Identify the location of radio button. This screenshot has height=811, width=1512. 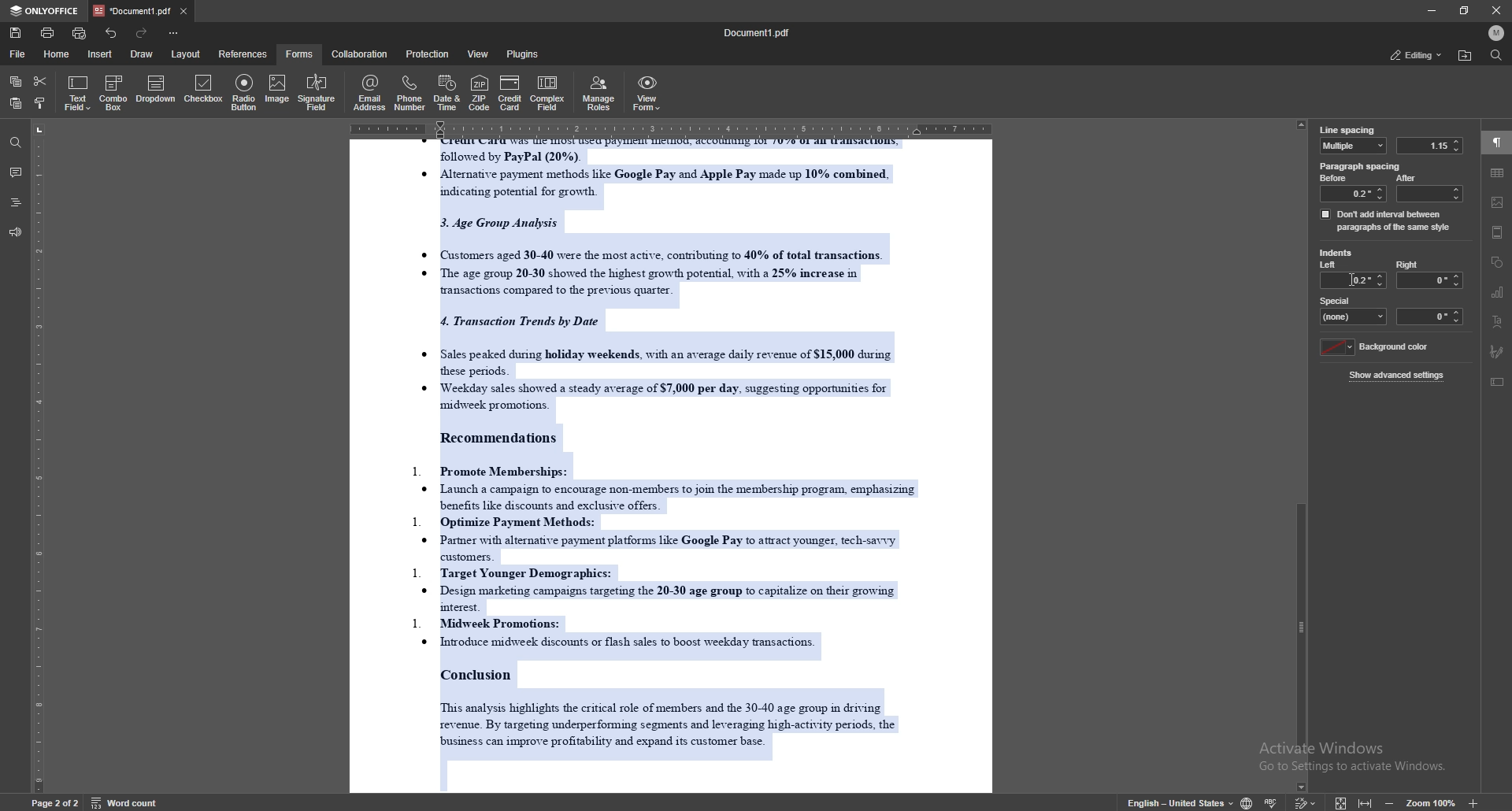
(246, 92).